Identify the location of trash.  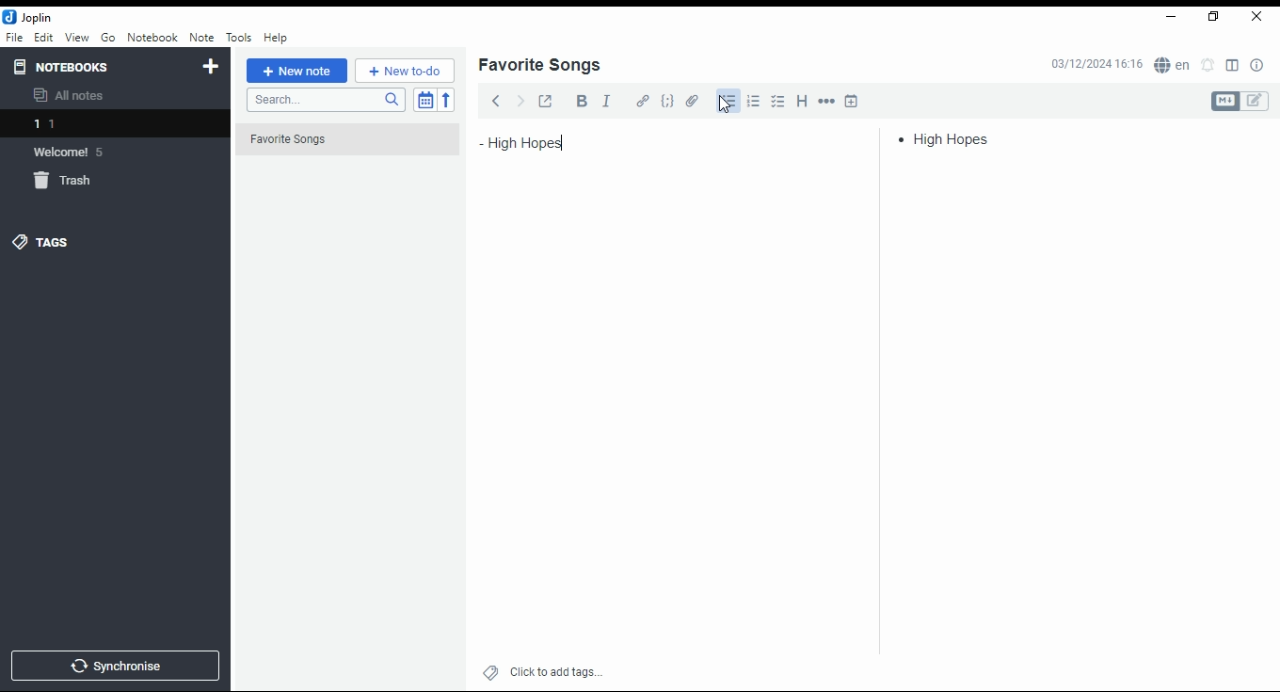
(74, 184).